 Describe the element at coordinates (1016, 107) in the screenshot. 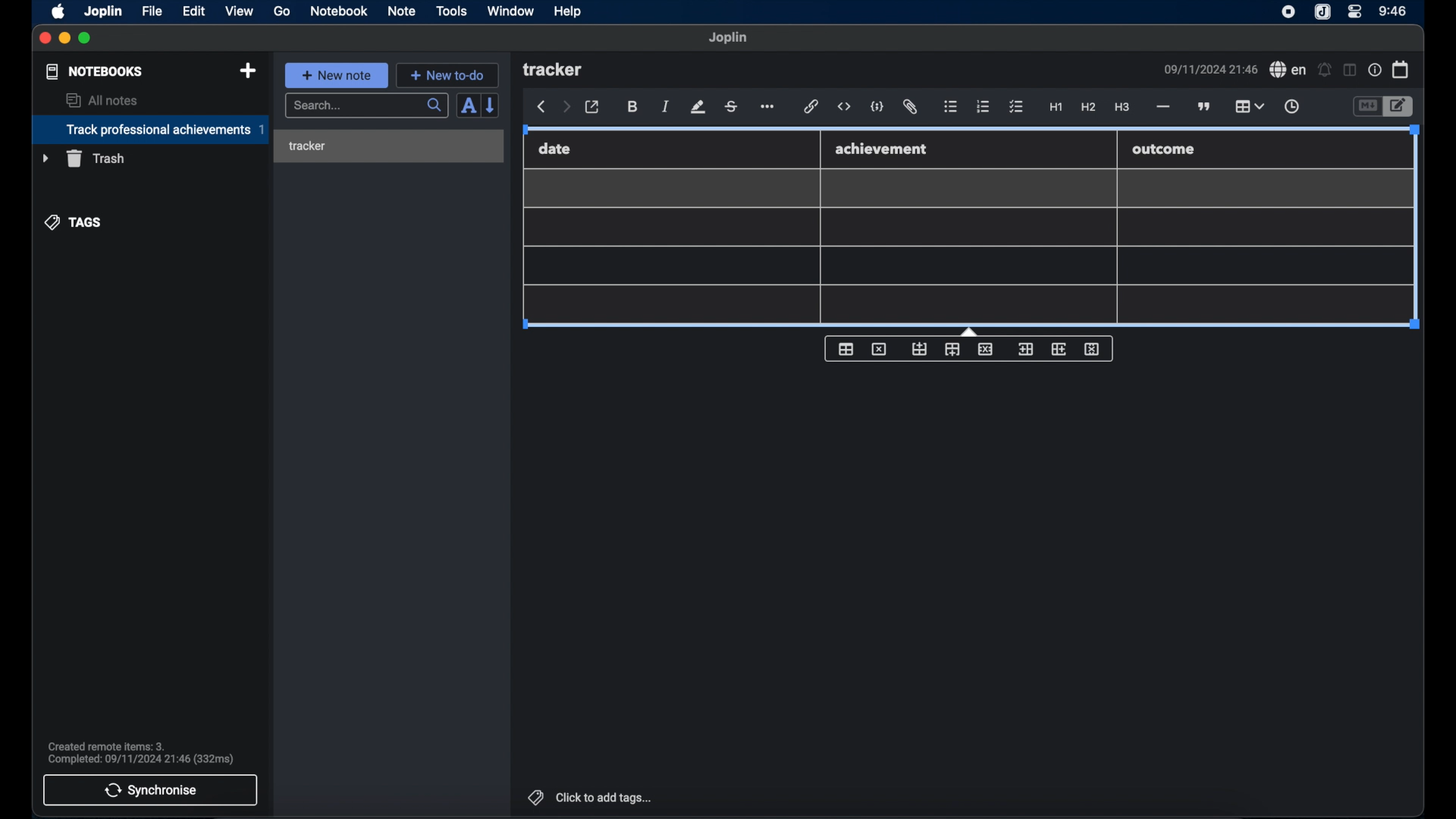

I see `checklist` at that location.